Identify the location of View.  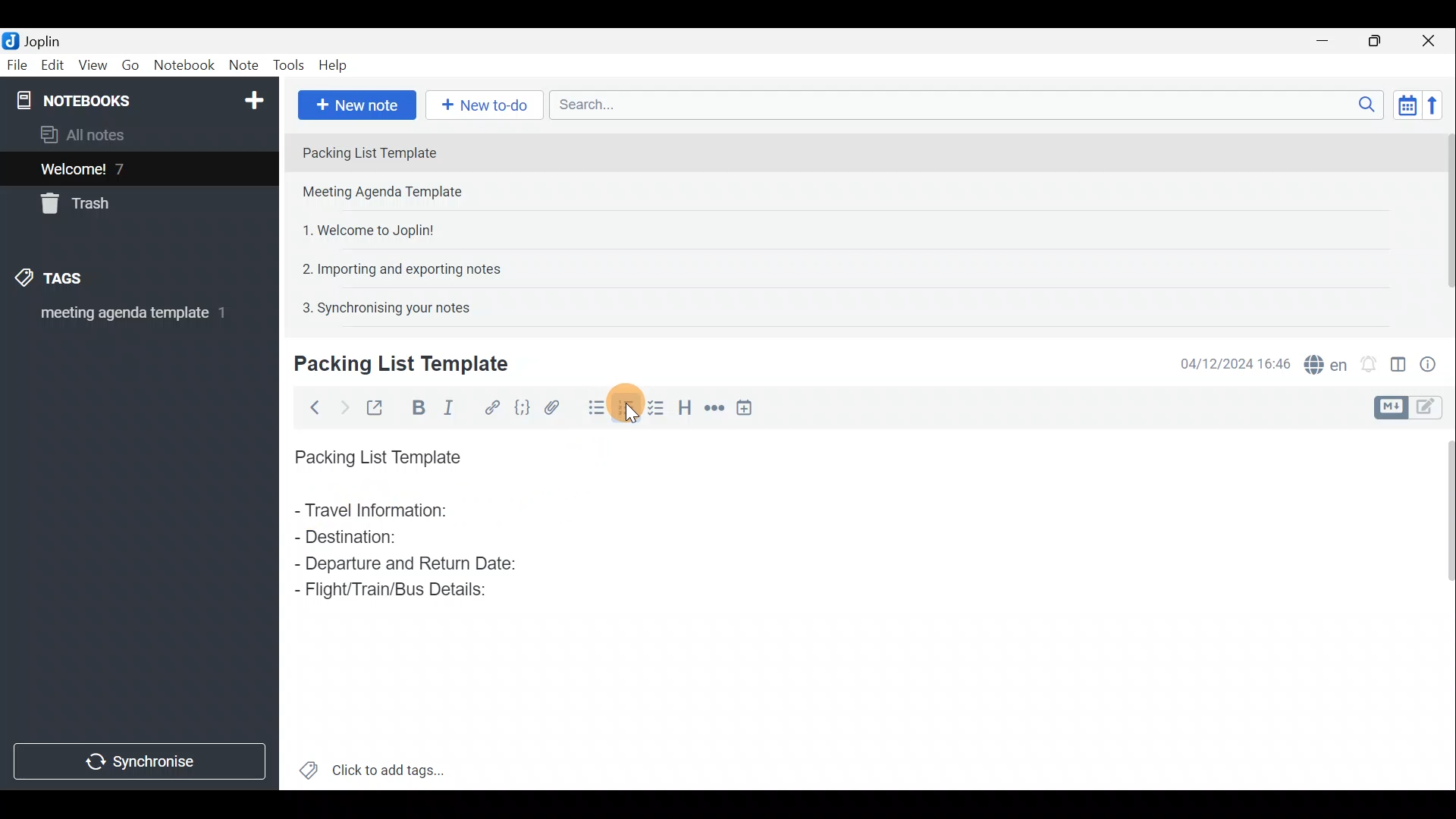
(94, 65).